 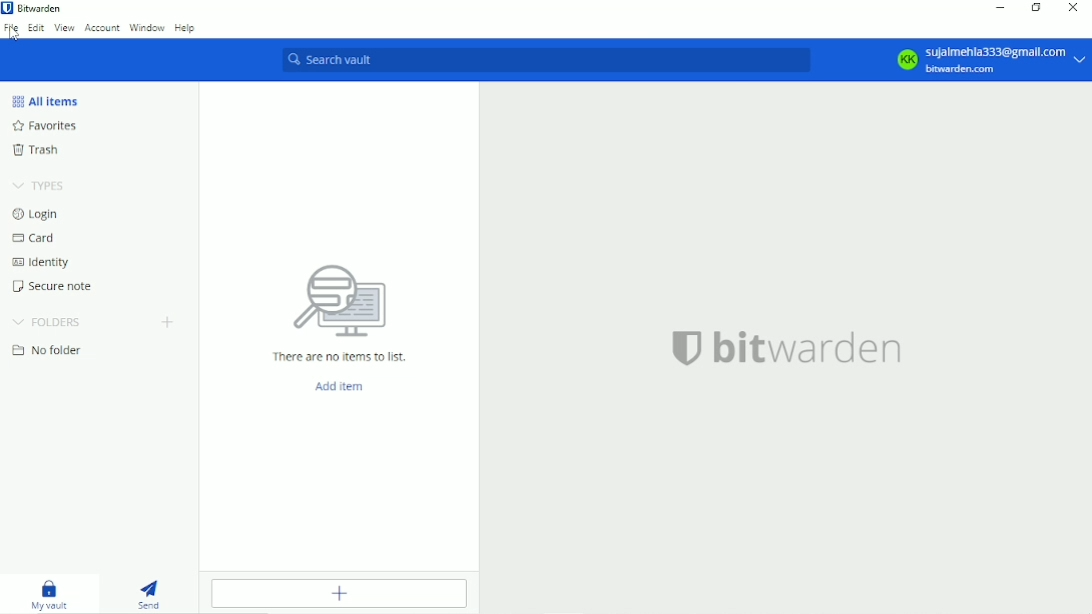 I want to click on File, so click(x=11, y=30).